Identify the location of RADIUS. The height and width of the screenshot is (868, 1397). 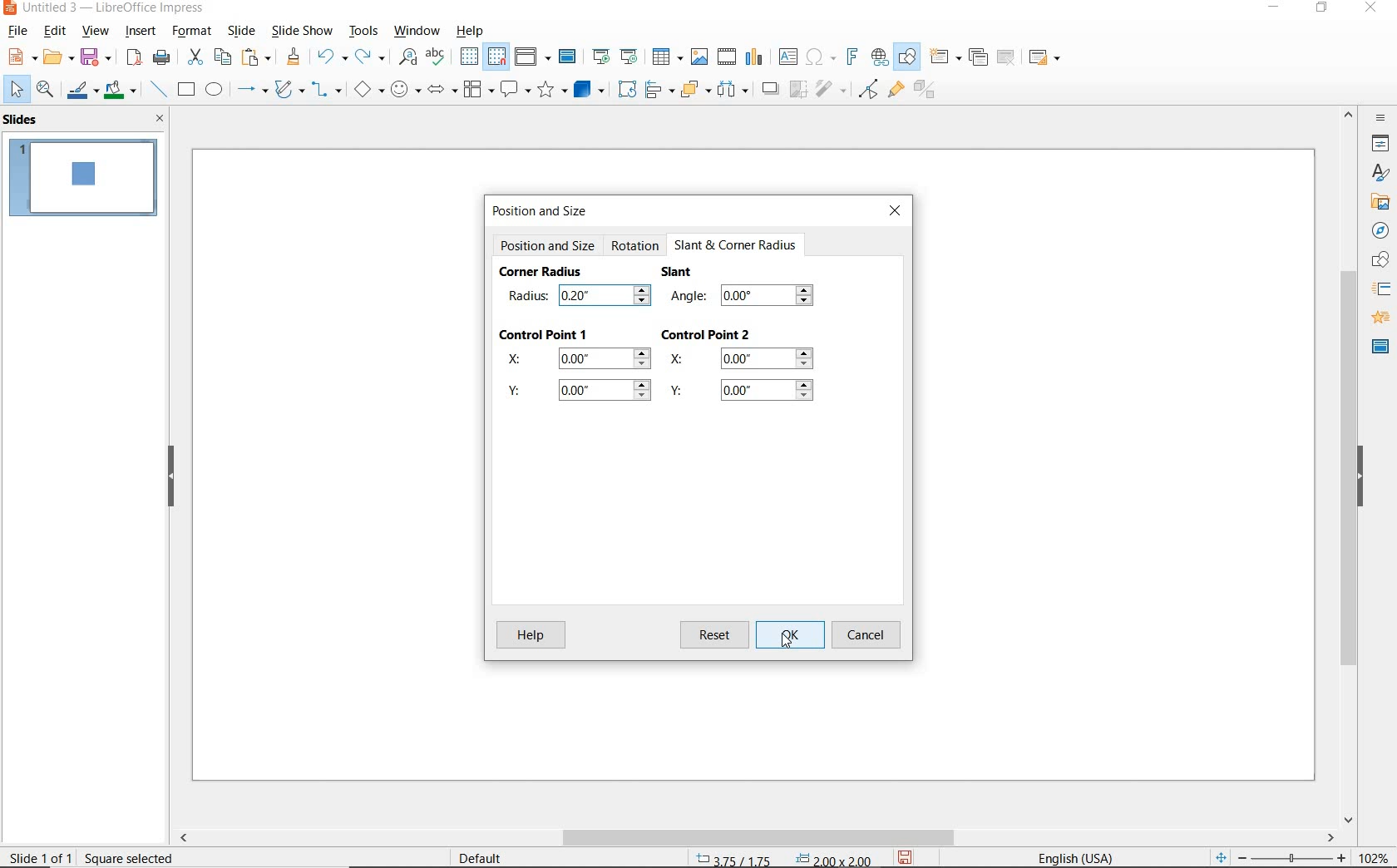
(529, 294).